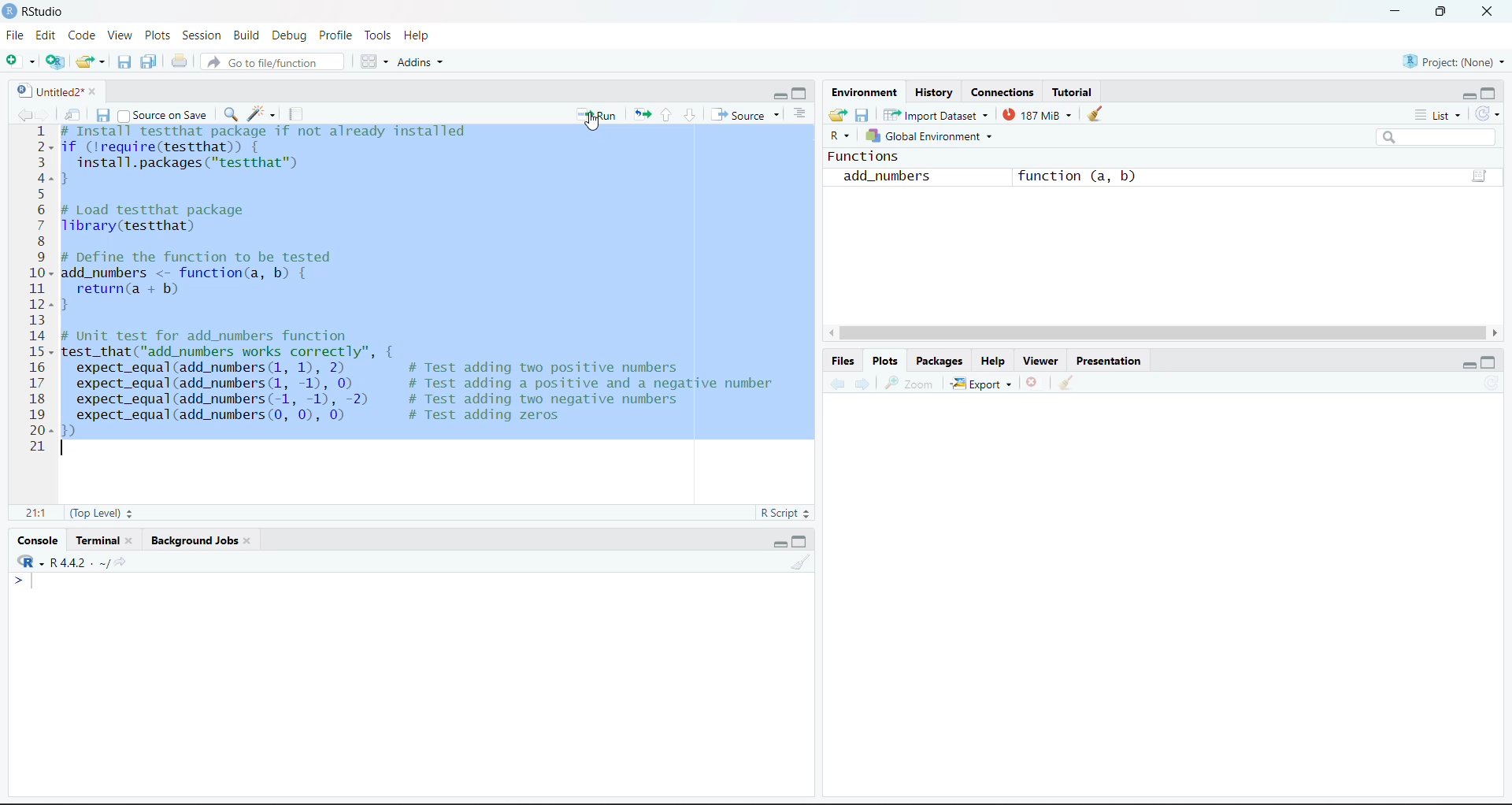 The image size is (1512, 805). I want to click on scroll left, so click(831, 332).